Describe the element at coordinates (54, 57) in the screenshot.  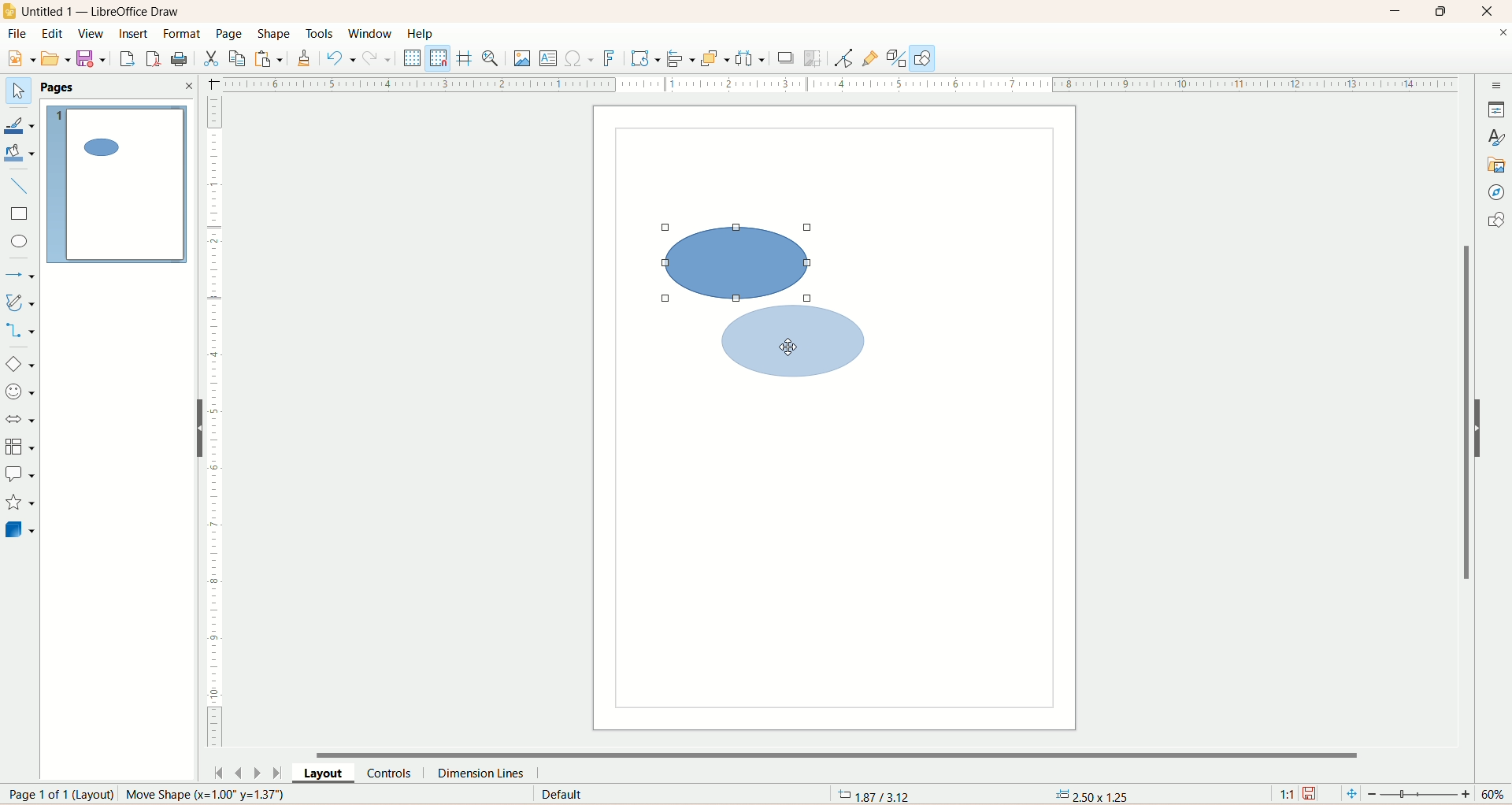
I see `open` at that location.